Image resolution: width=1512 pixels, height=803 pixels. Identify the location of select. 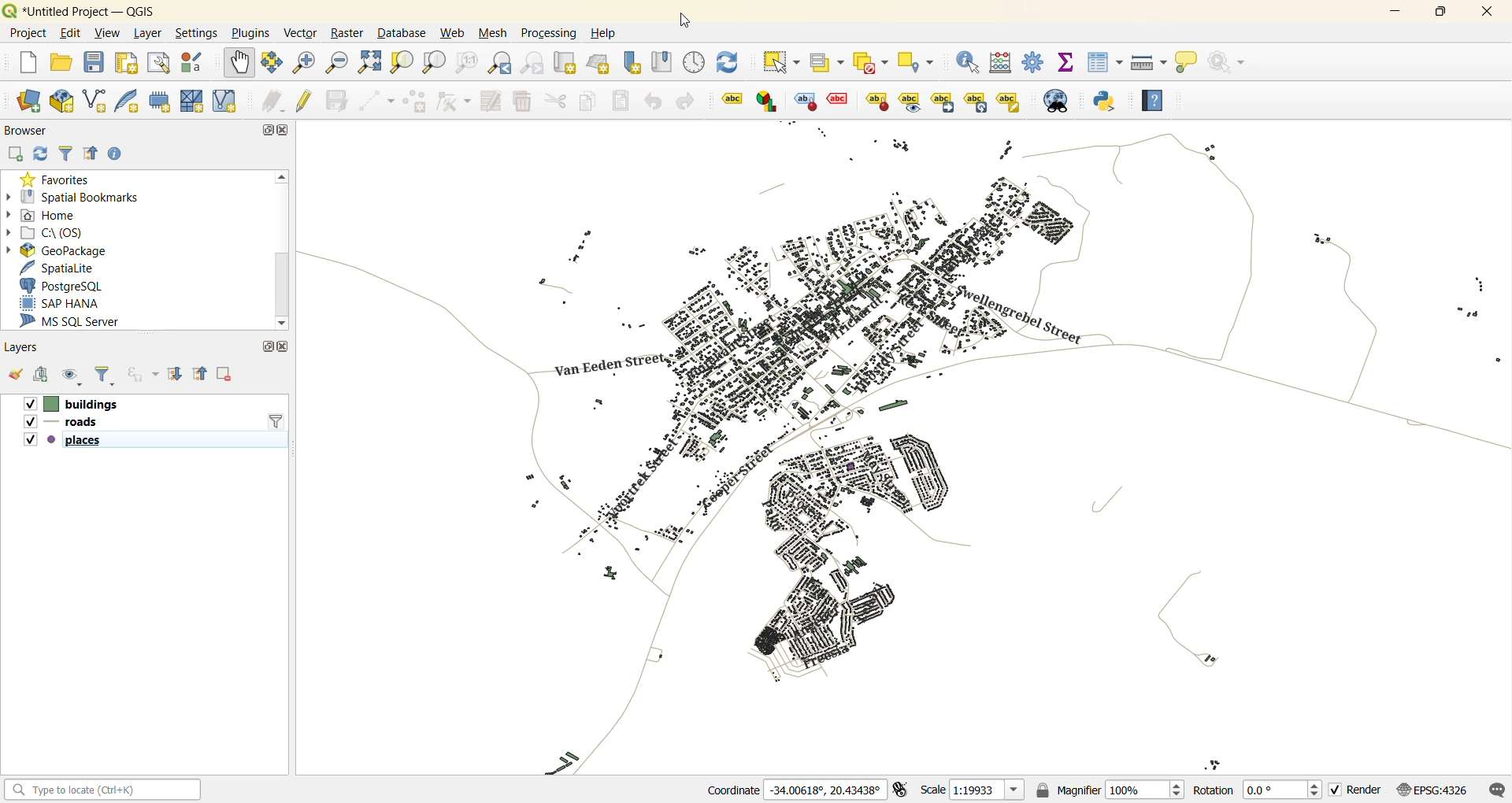
(783, 61).